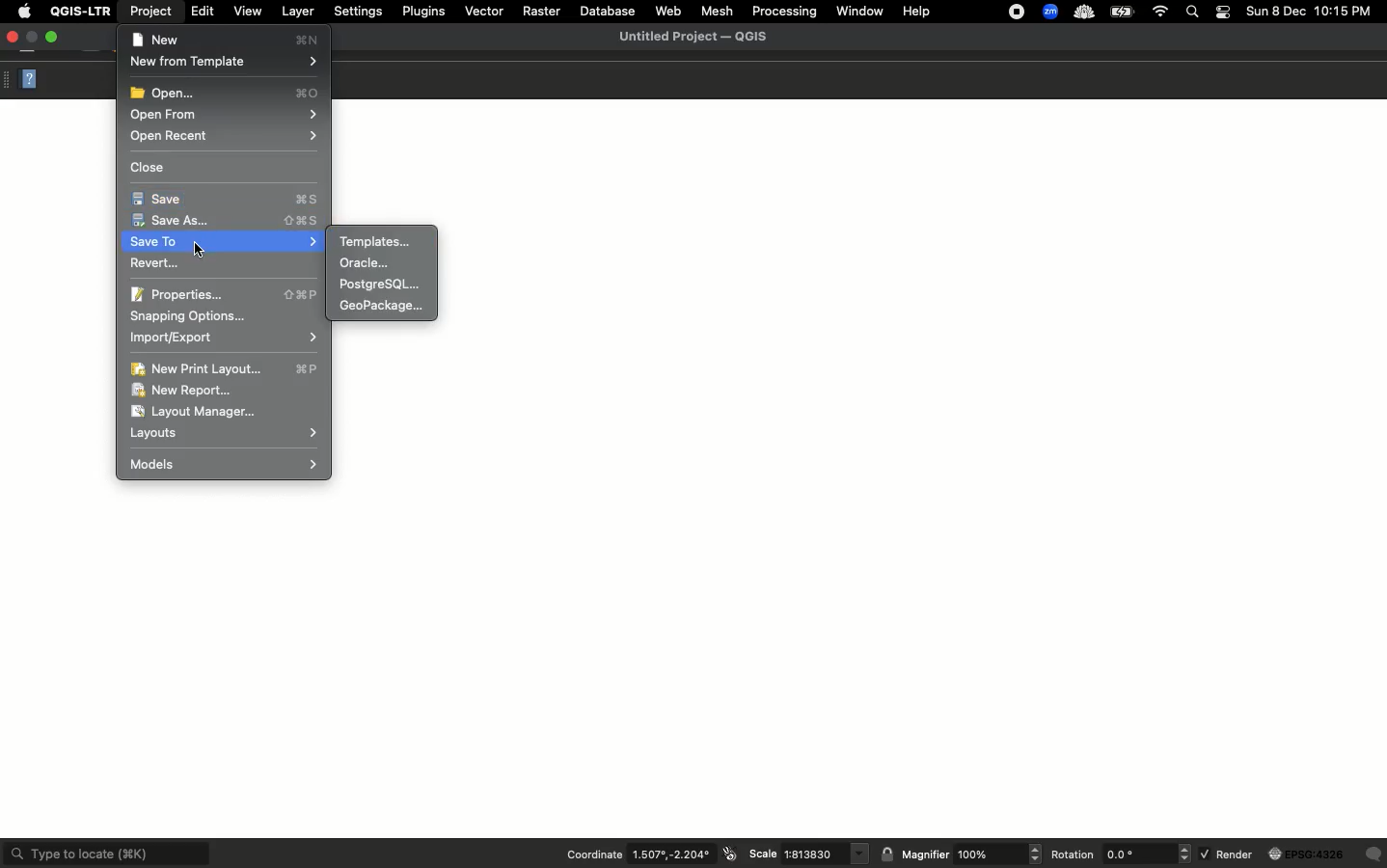 Image resolution: width=1387 pixels, height=868 pixels. Describe the element at coordinates (718, 12) in the screenshot. I see `Mesh` at that location.